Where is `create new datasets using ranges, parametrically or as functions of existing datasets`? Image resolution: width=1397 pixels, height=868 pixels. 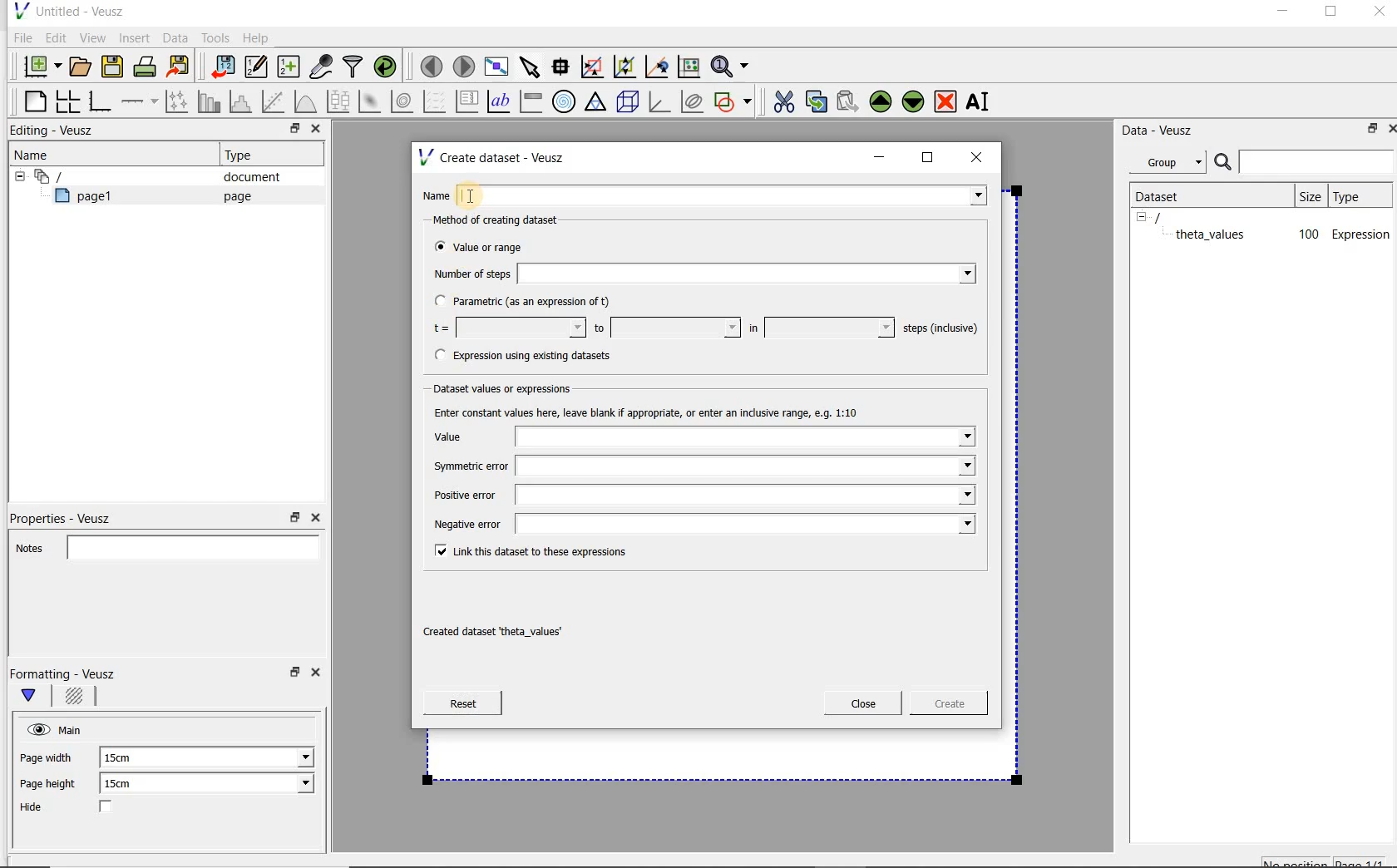
create new datasets using ranges, parametrically or as functions of existing datasets is located at coordinates (289, 67).